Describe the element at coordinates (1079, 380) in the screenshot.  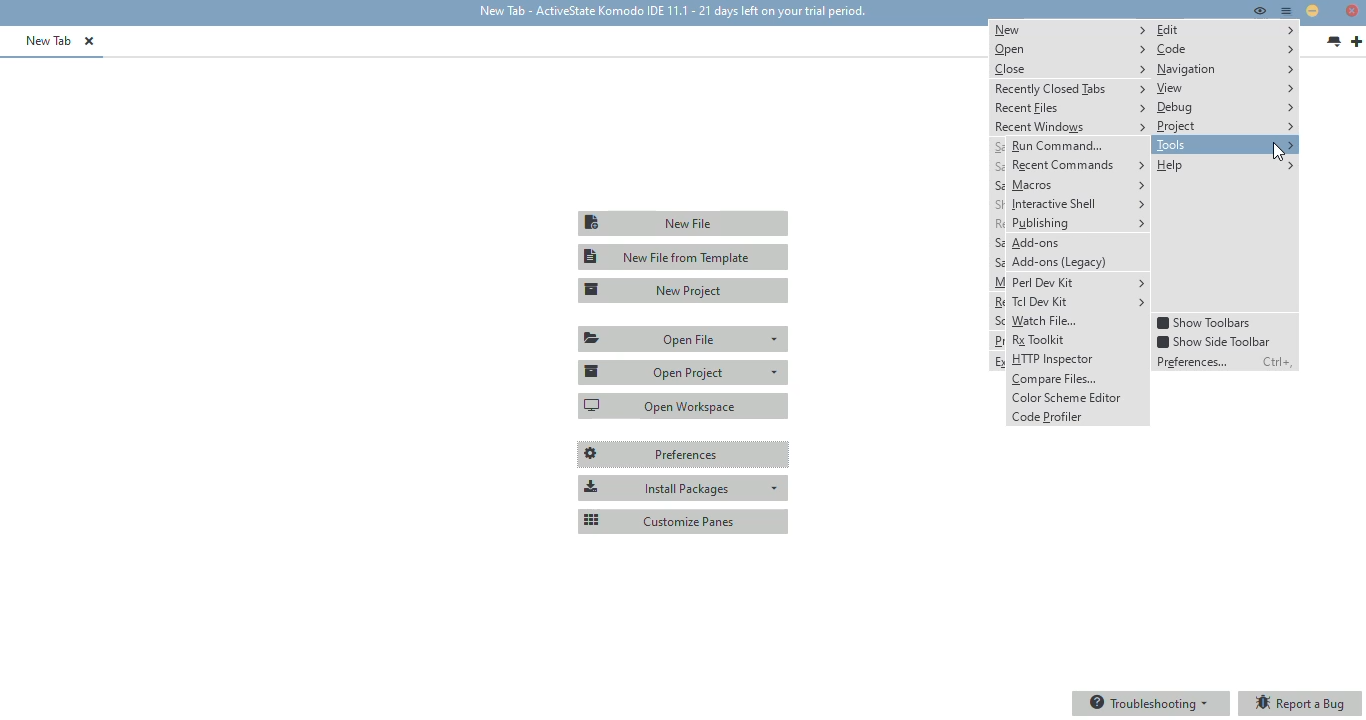
I see `compare files` at that location.